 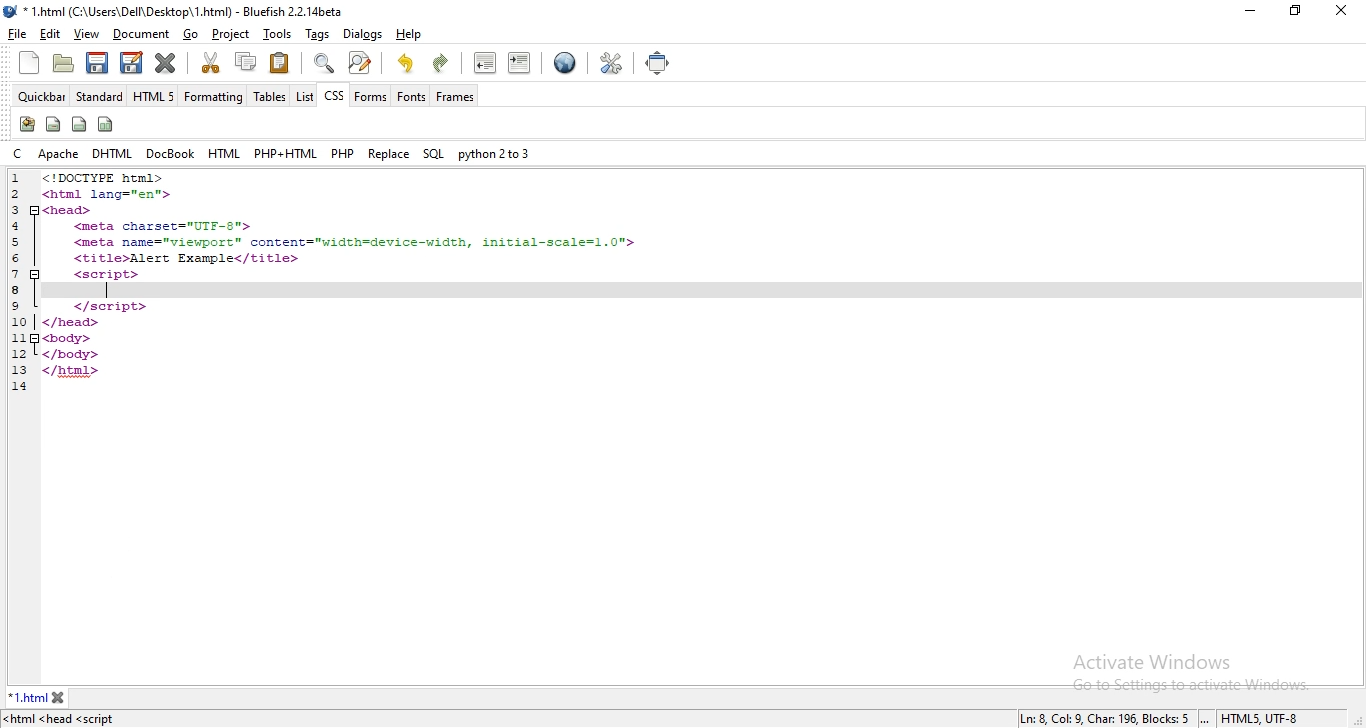 I want to click on paste, so click(x=279, y=64).